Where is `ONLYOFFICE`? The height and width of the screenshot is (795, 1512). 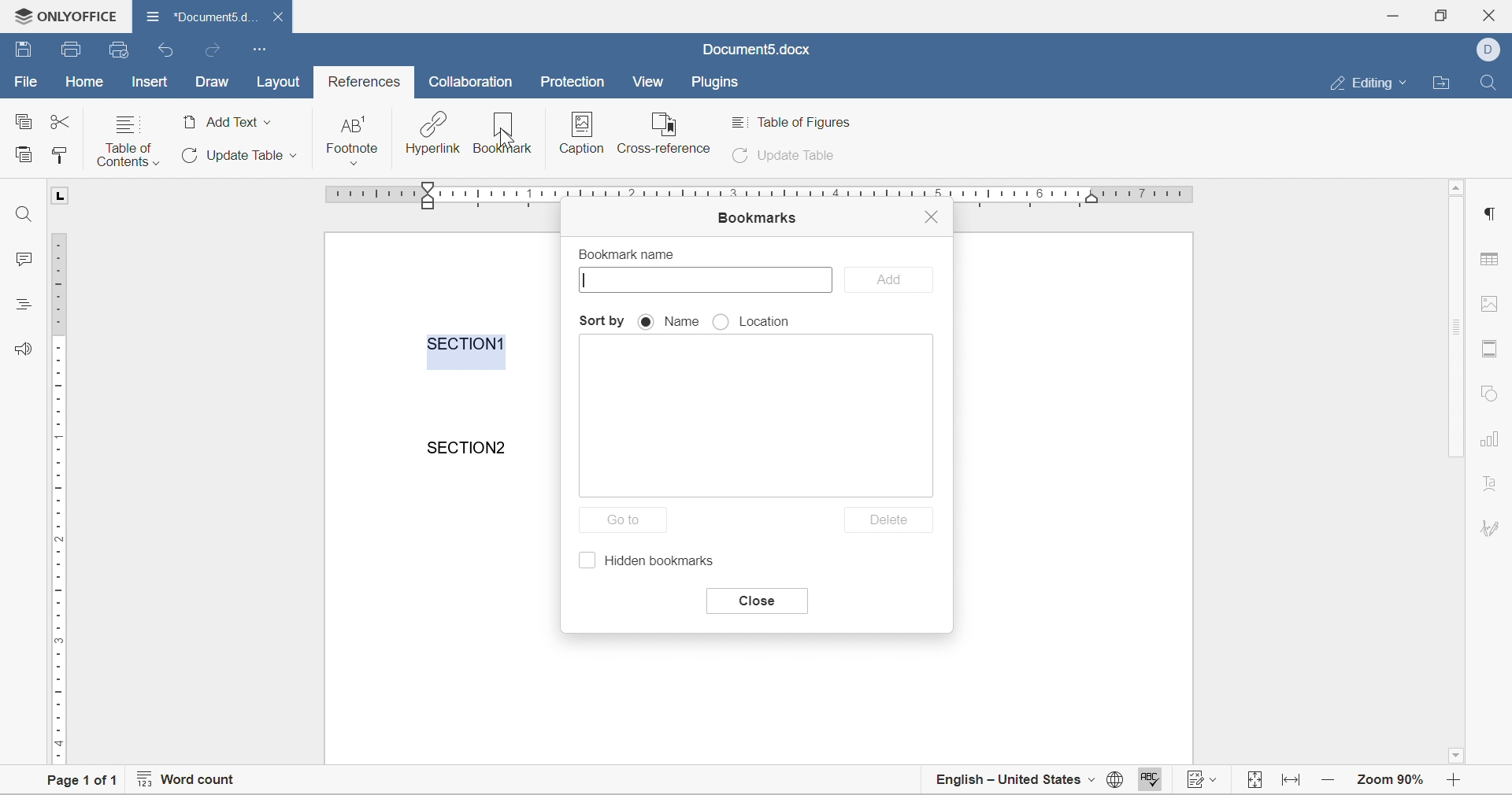
ONLYOFFICE is located at coordinates (61, 13).